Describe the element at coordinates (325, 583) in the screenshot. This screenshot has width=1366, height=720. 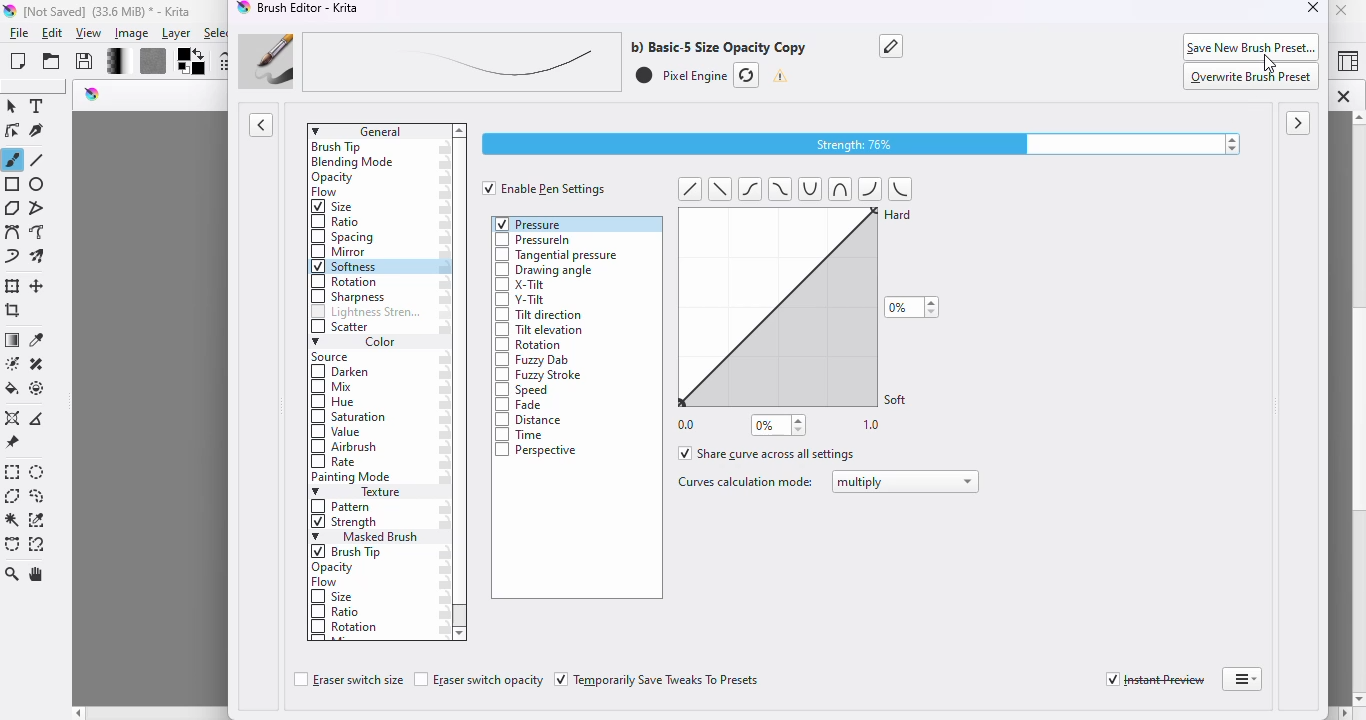
I see `flow` at that location.